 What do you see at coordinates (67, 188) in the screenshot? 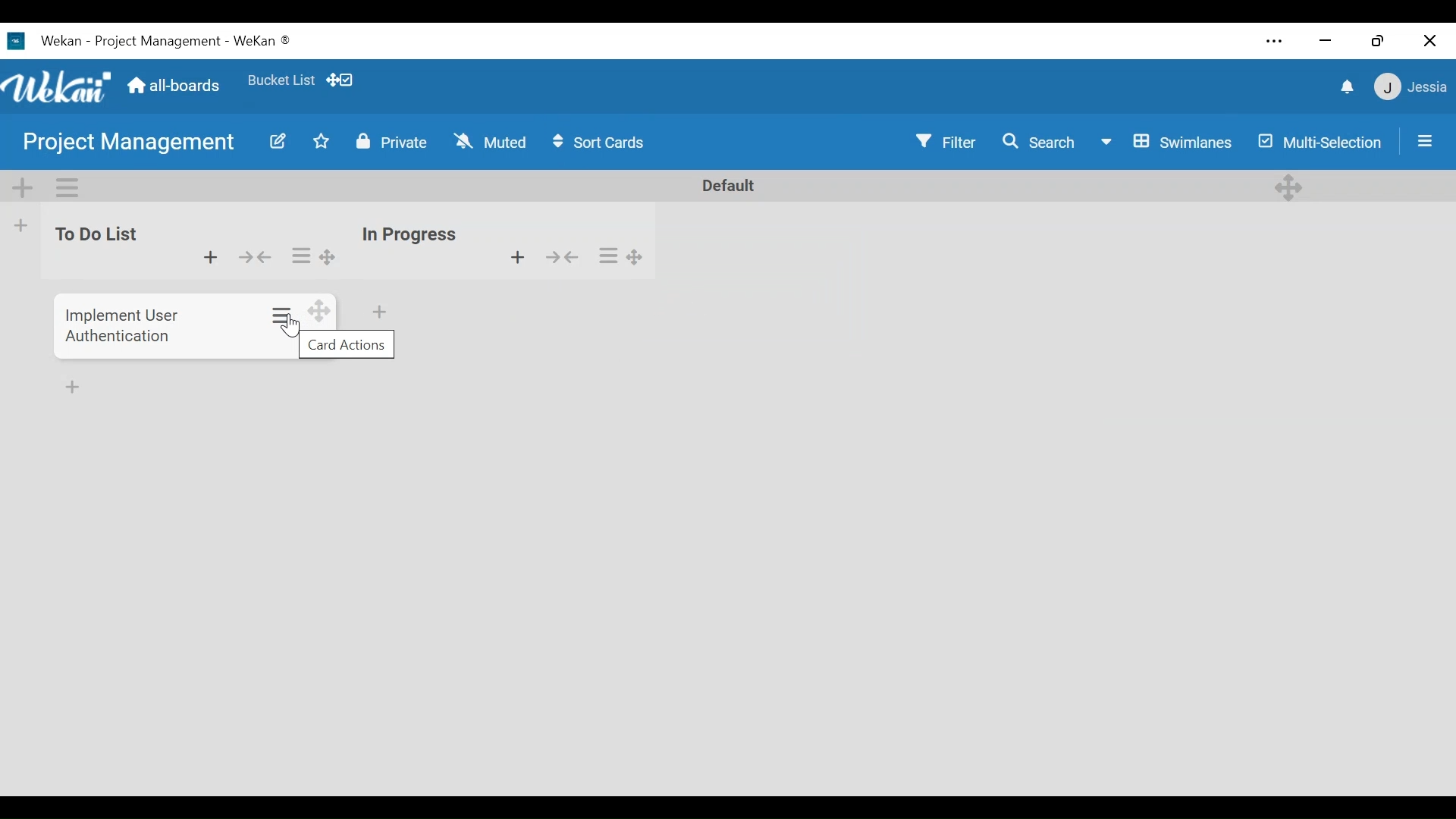
I see `Swimlane actions` at bounding box center [67, 188].